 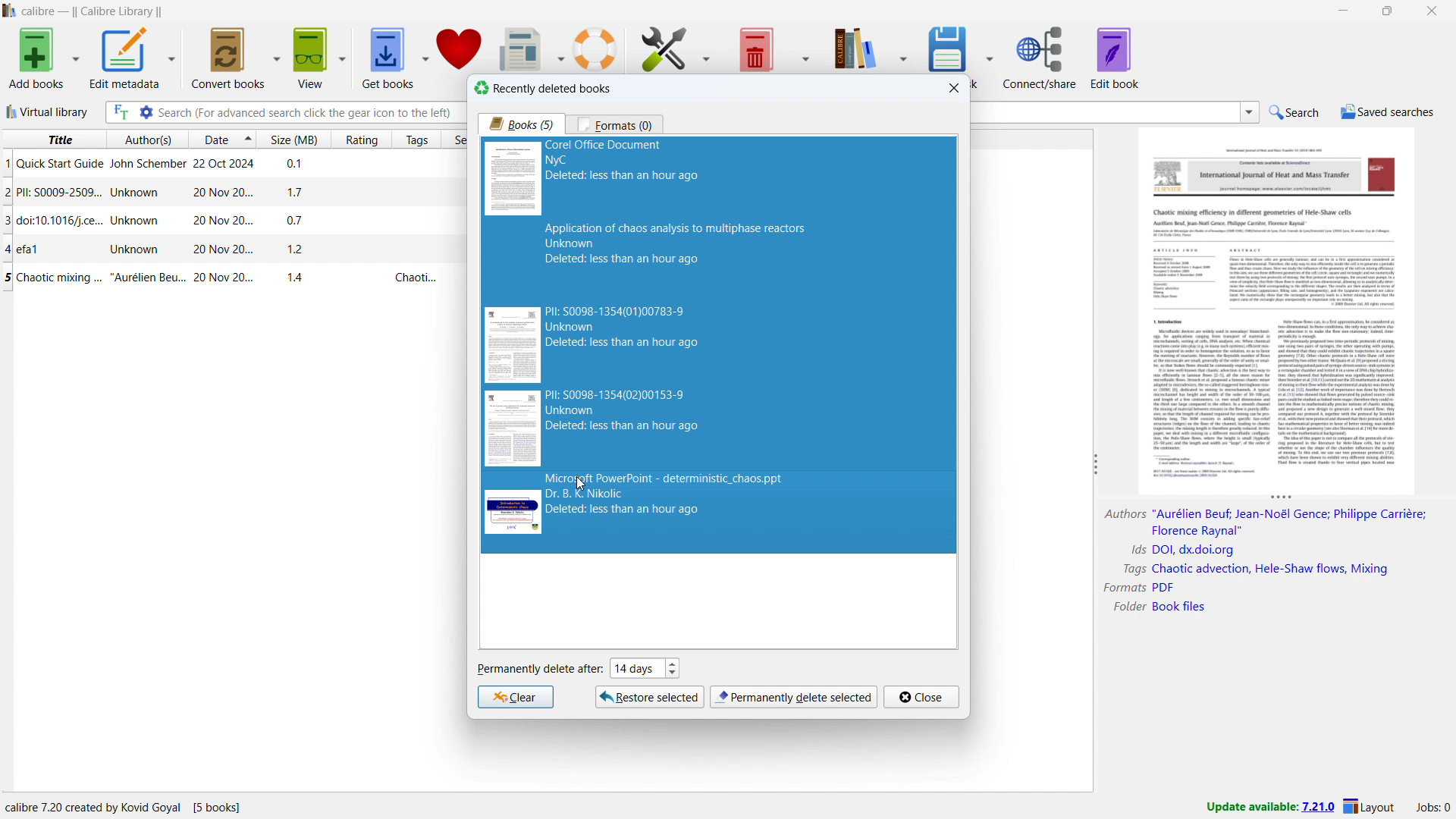 What do you see at coordinates (955, 88) in the screenshot?
I see `close` at bounding box center [955, 88].